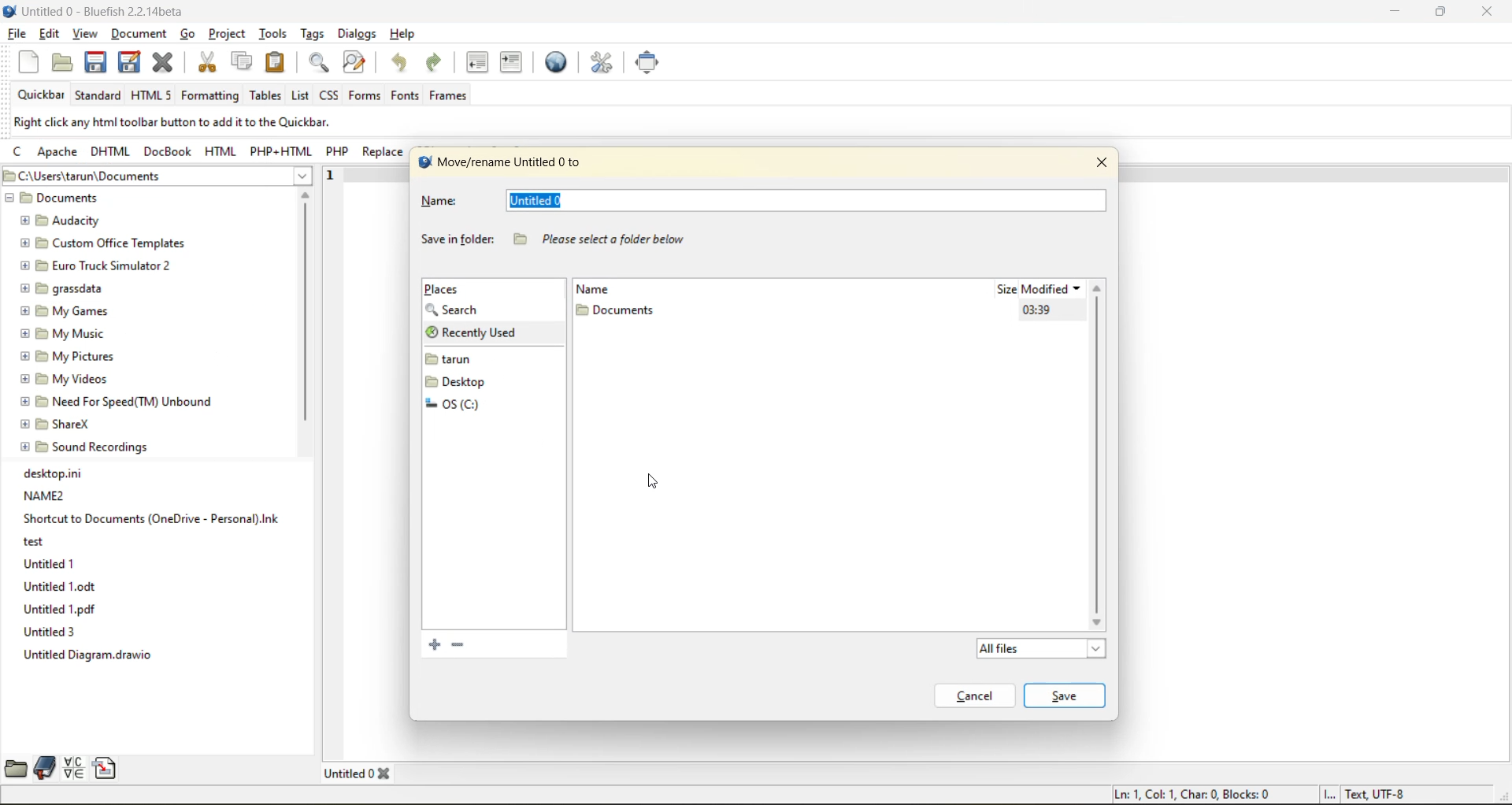  Describe the element at coordinates (99, 267) in the screenshot. I see `Euro Truck Simulator 2` at that location.